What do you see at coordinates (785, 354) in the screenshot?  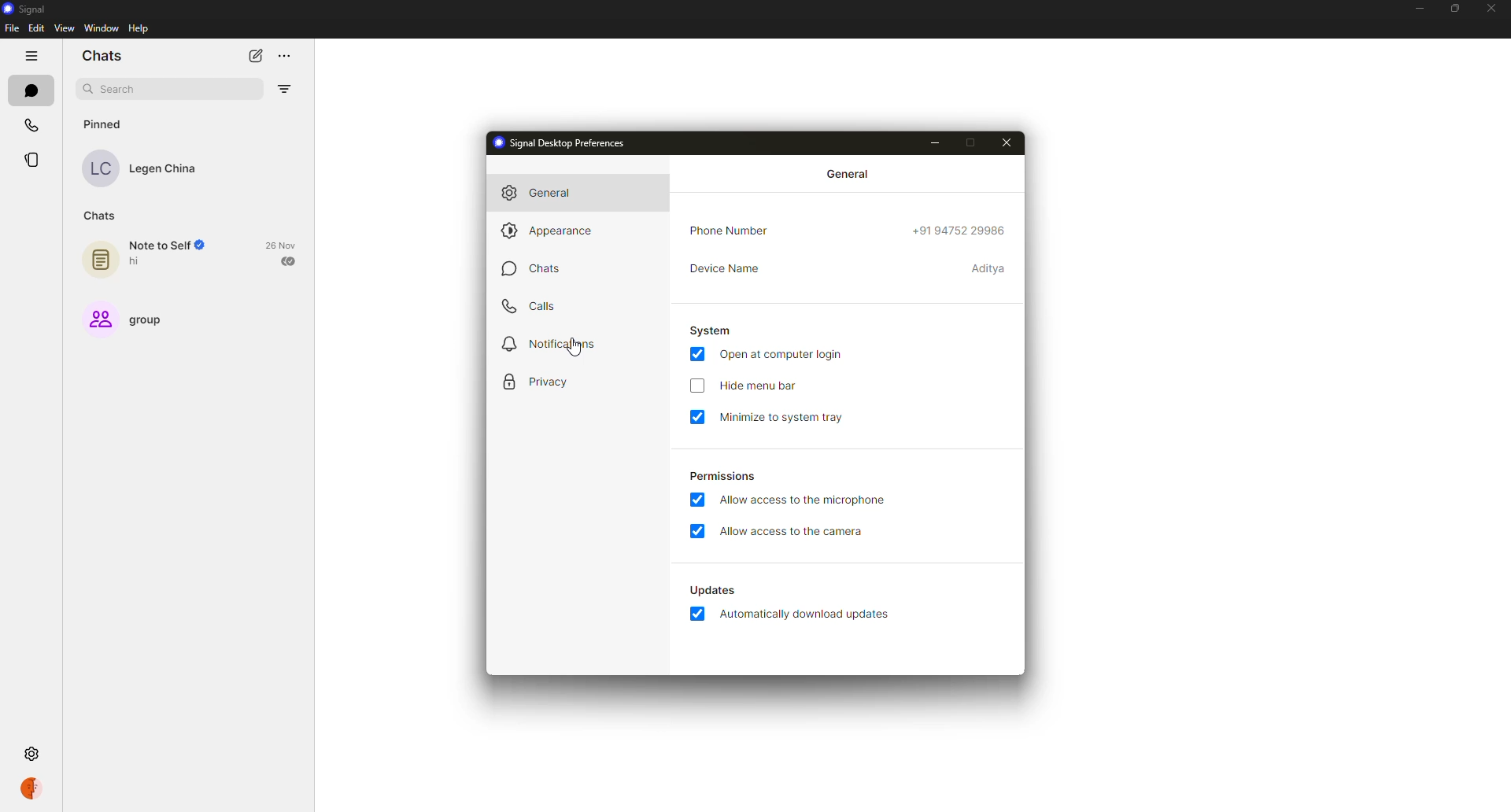 I see `open at login` at bounding box center [785, 354].